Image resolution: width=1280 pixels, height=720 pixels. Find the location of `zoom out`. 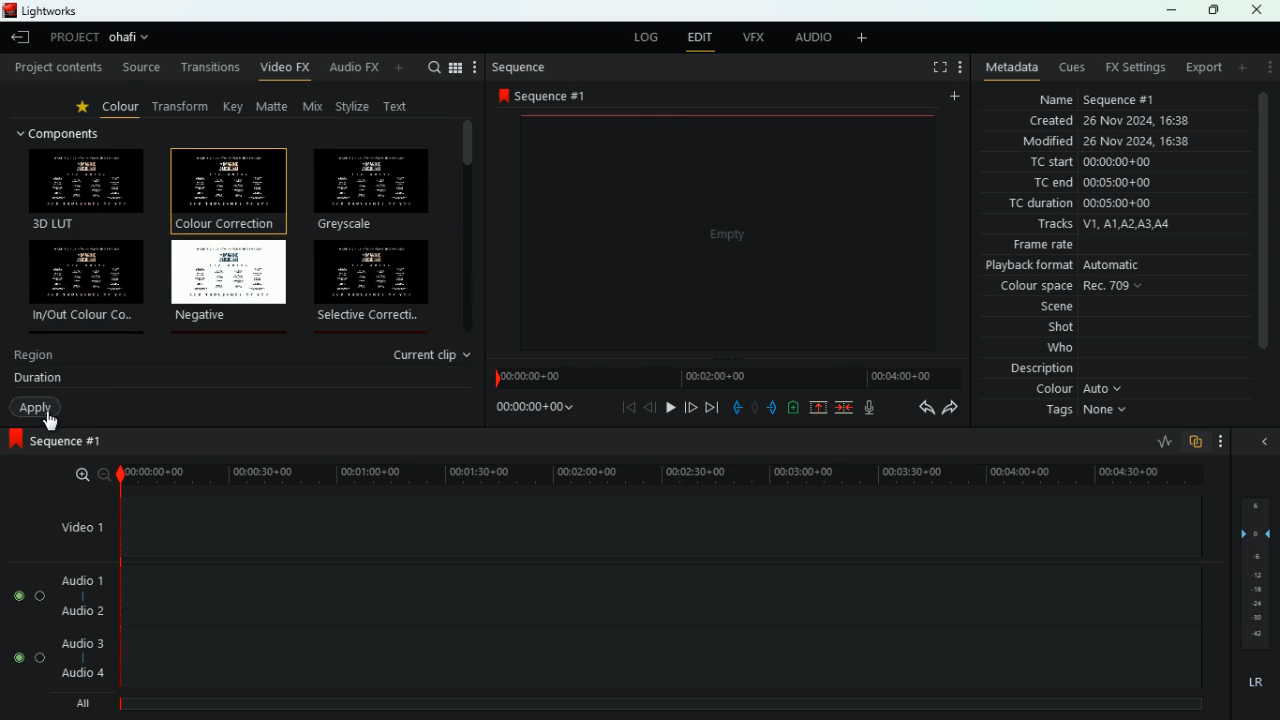

zoom out is located at coordinates (103, 474).